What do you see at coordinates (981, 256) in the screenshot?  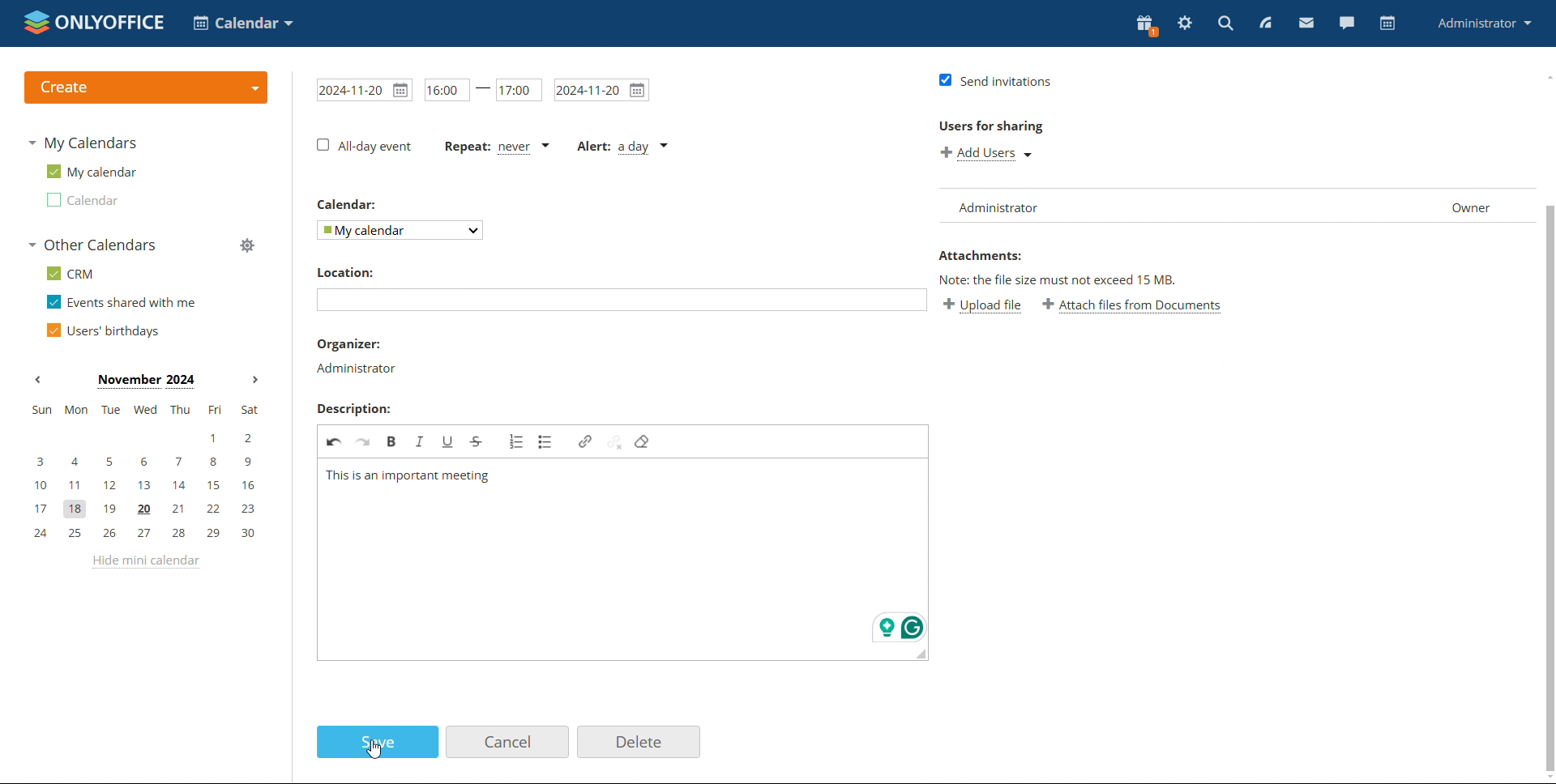 I see `attachments` at bounding box center [981, 256].